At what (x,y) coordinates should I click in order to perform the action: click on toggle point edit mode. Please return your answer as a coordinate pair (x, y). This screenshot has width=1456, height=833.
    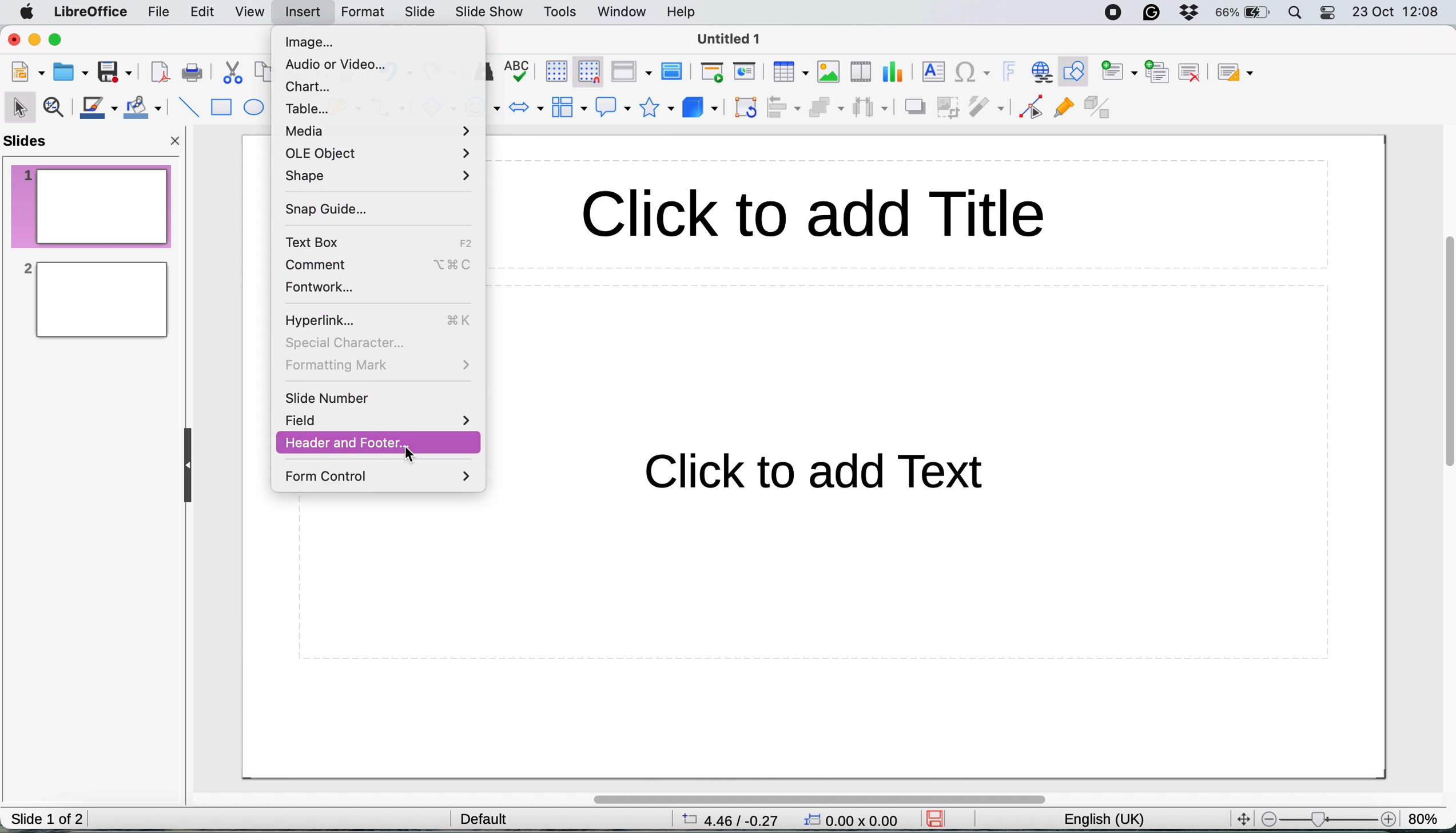
    Looking at the image, I should click on (1031, 110).